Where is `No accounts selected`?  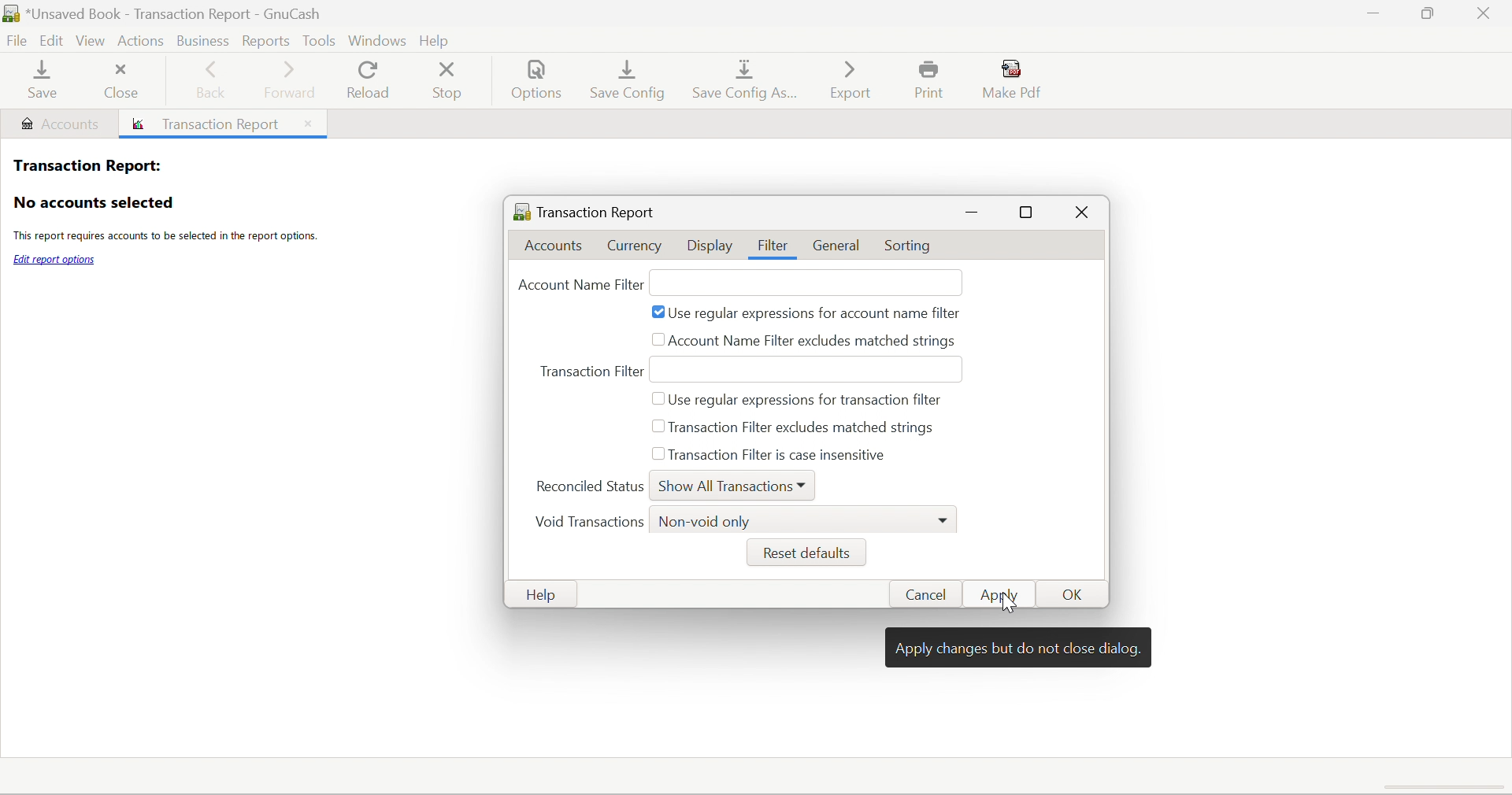
No accounts selected is located at coordinates (93, 203).